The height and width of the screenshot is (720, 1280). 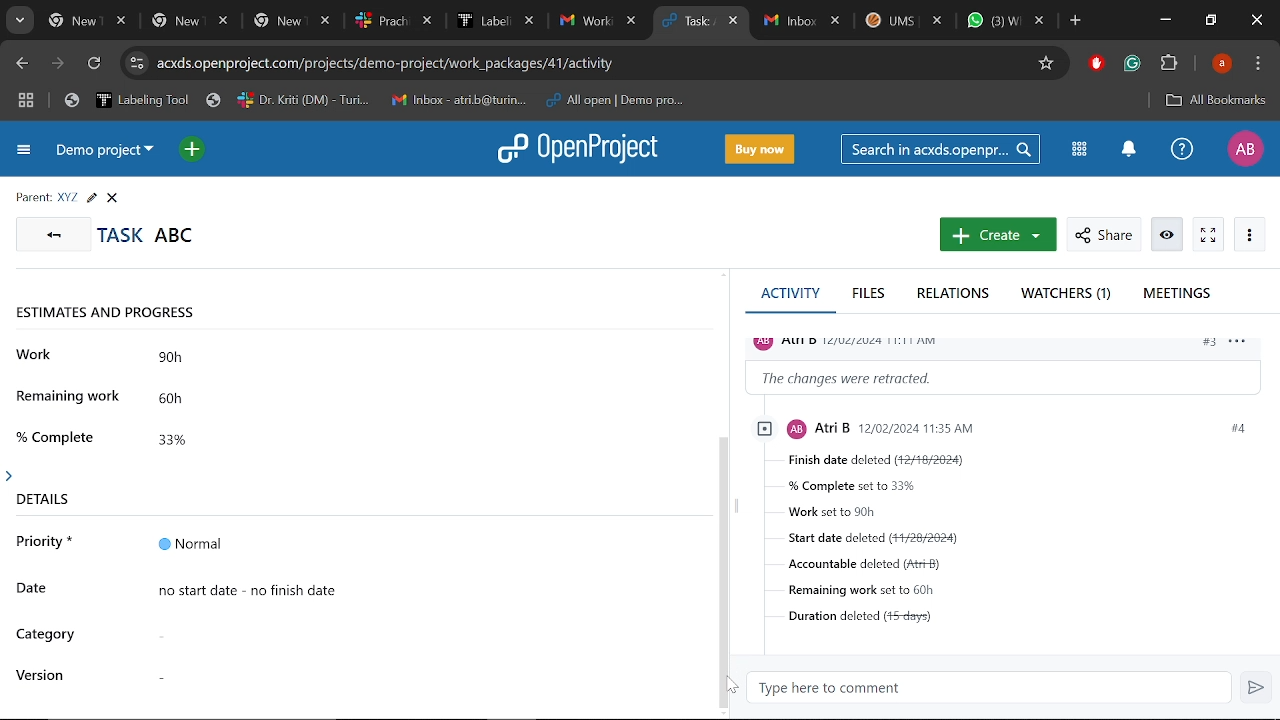 I want to click on category, so click(x=47, y=636).